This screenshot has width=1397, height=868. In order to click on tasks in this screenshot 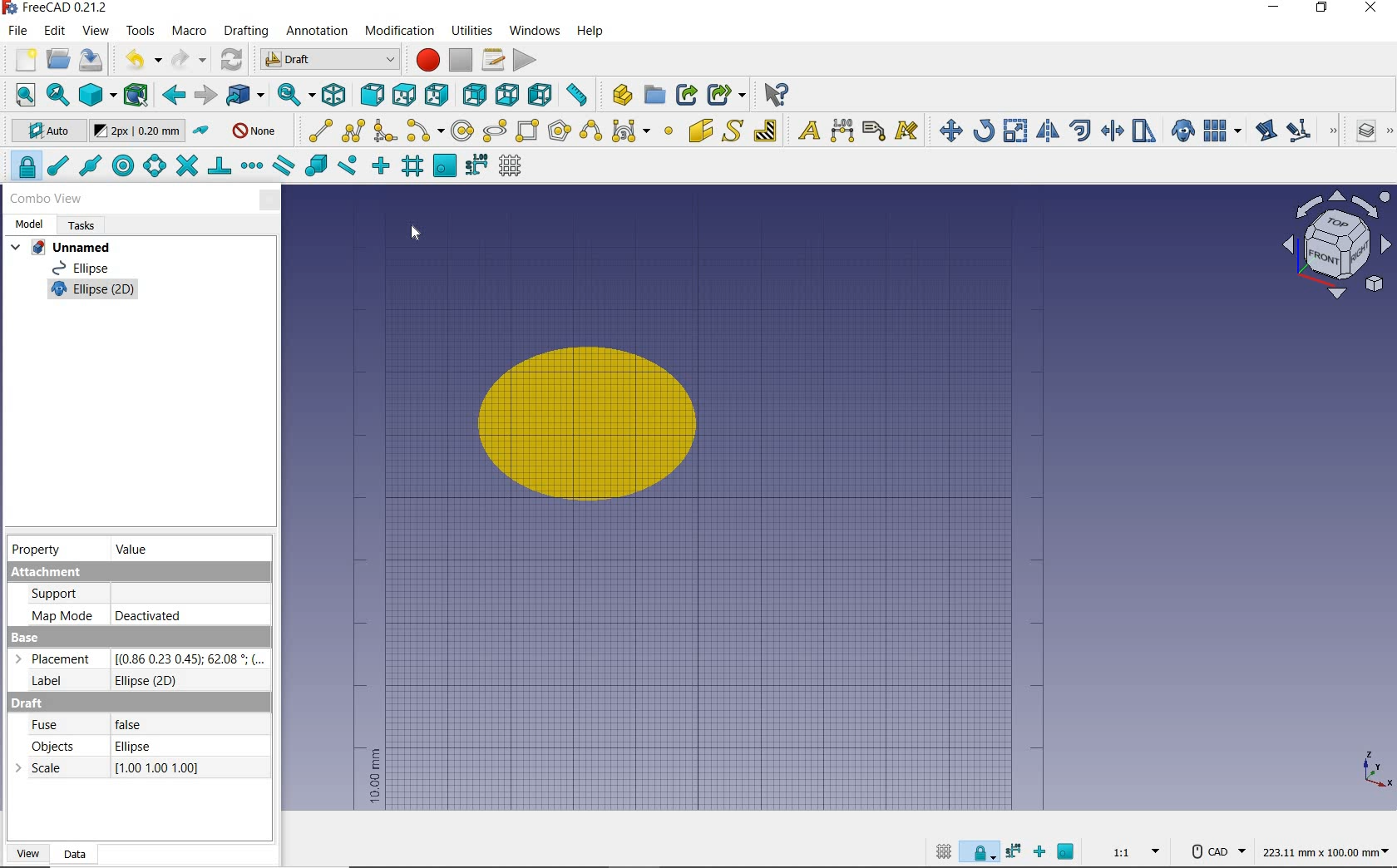, I will do `click(86, 226)`.